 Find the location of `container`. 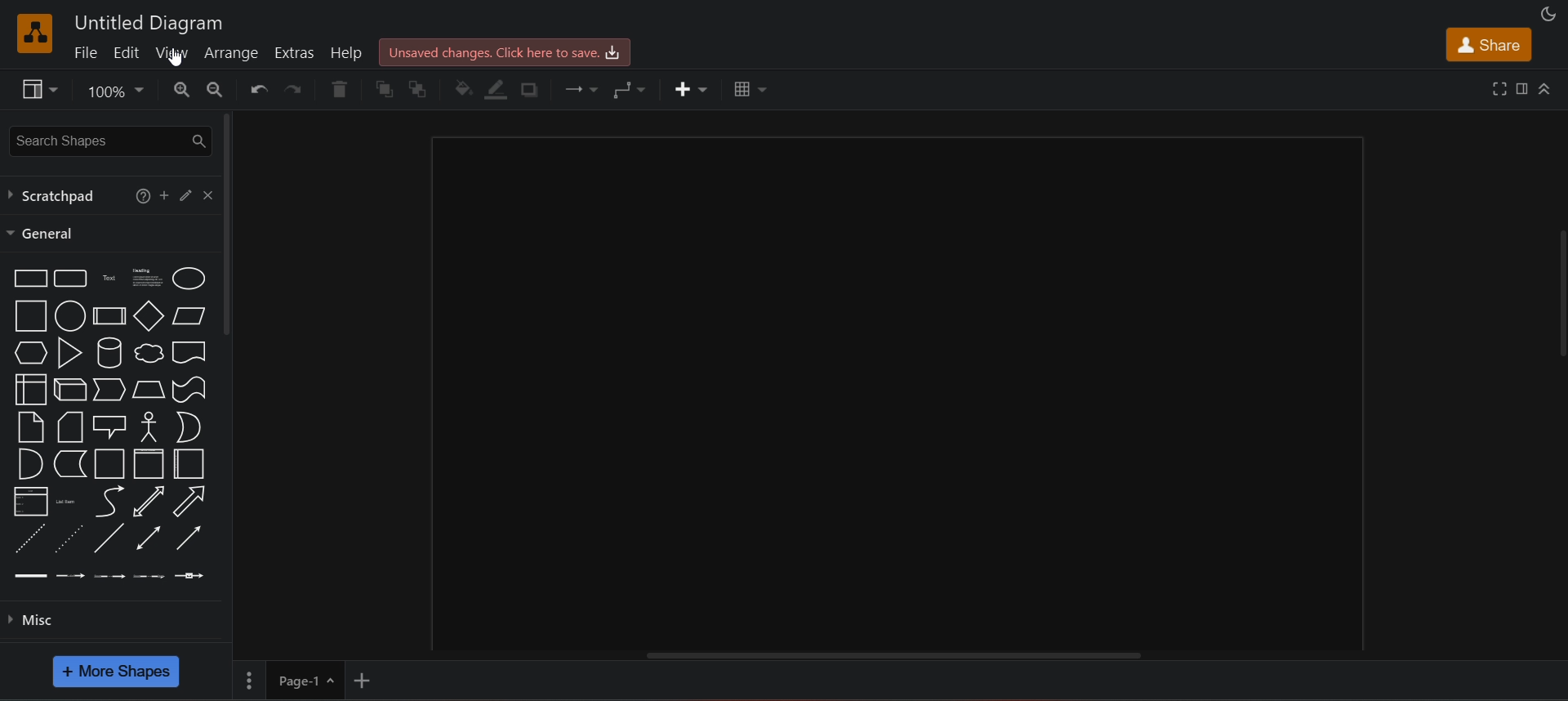

container is located at coordinates (147, 464).